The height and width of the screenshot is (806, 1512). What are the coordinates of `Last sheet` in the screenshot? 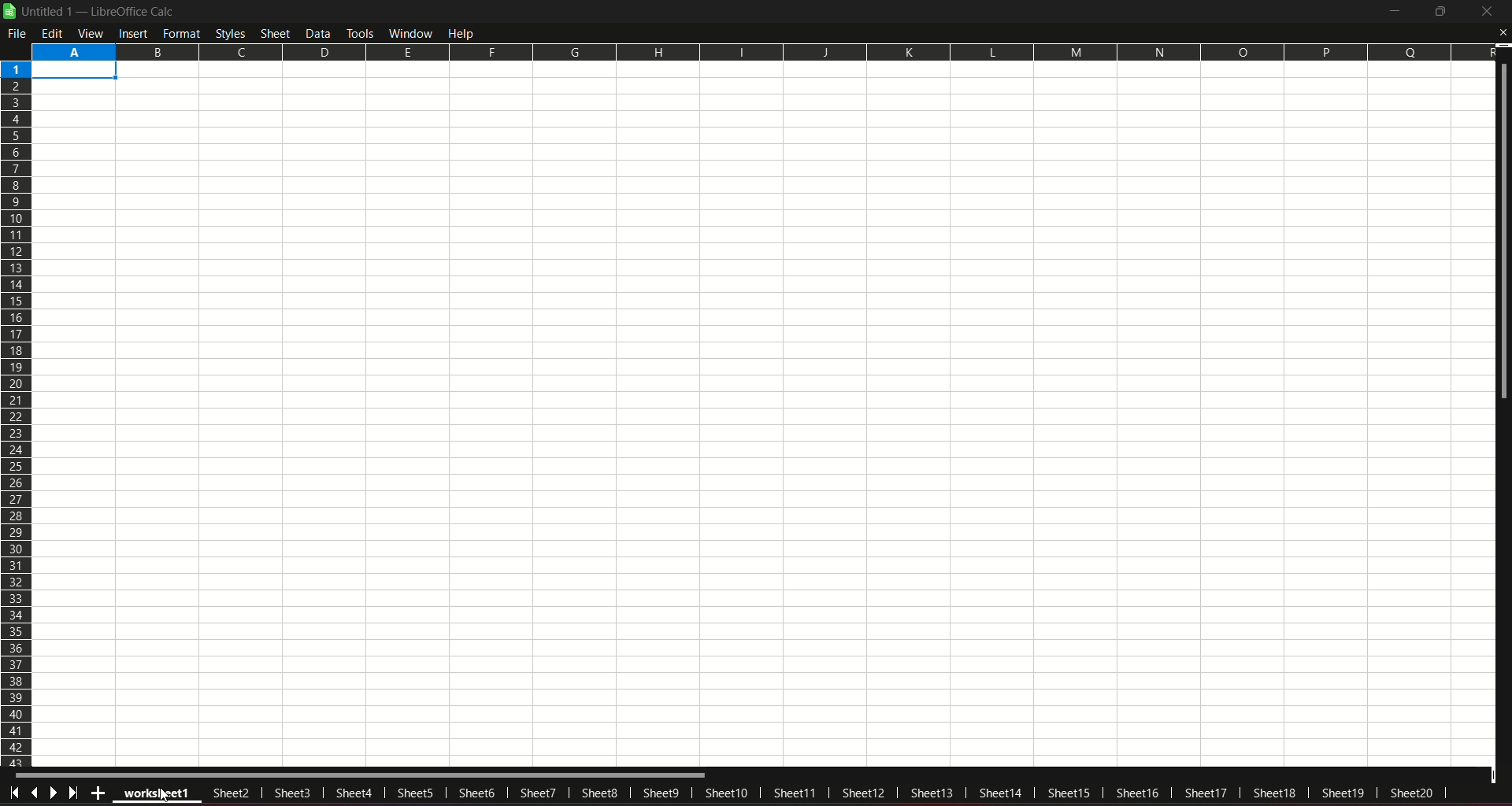 It's located at (76, 793).